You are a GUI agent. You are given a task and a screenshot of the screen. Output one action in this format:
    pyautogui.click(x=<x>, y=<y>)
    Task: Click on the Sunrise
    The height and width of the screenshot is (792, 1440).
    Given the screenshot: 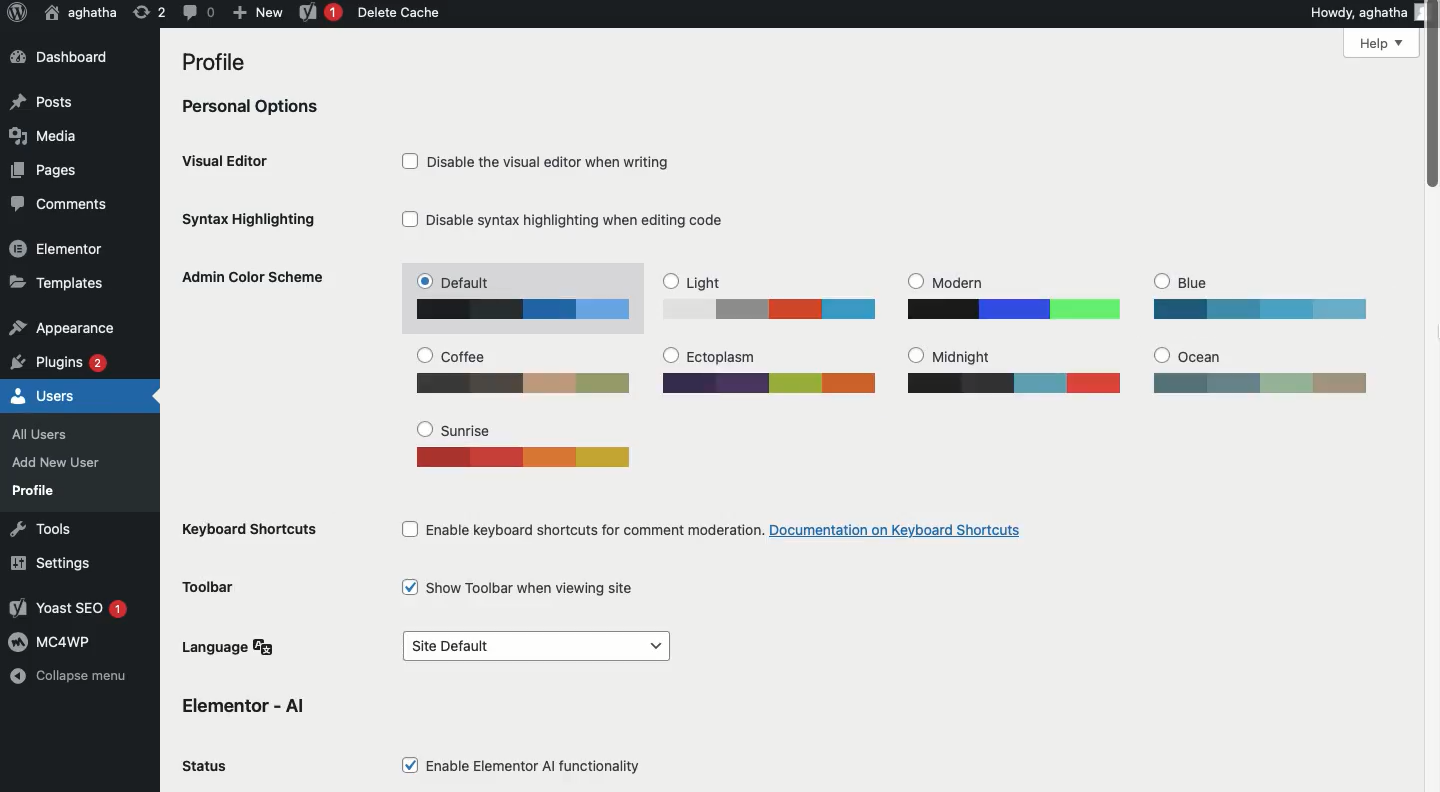 What is the action you would take?
    pyautogui.click(x=527, y=446)
    